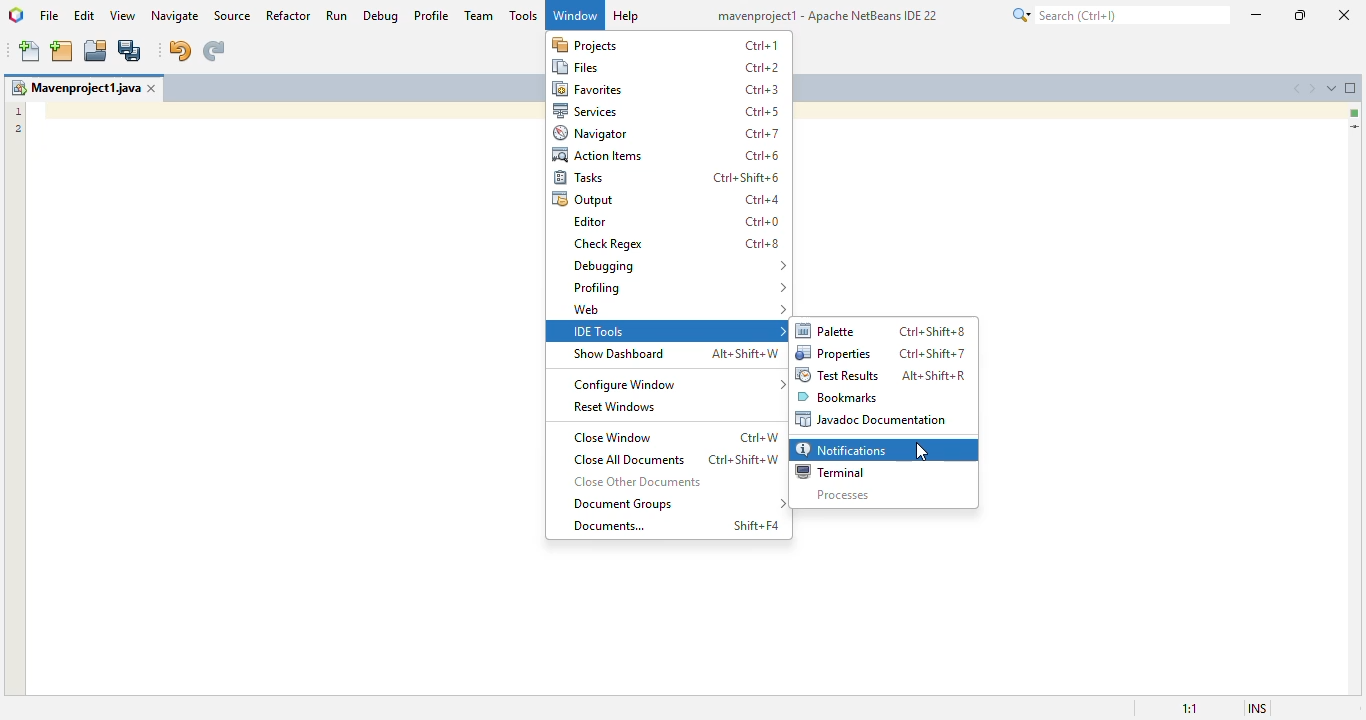  What do you see at coordinates (626, 16) in the screenshot?
I see `help` at bounding box center [626, 16].